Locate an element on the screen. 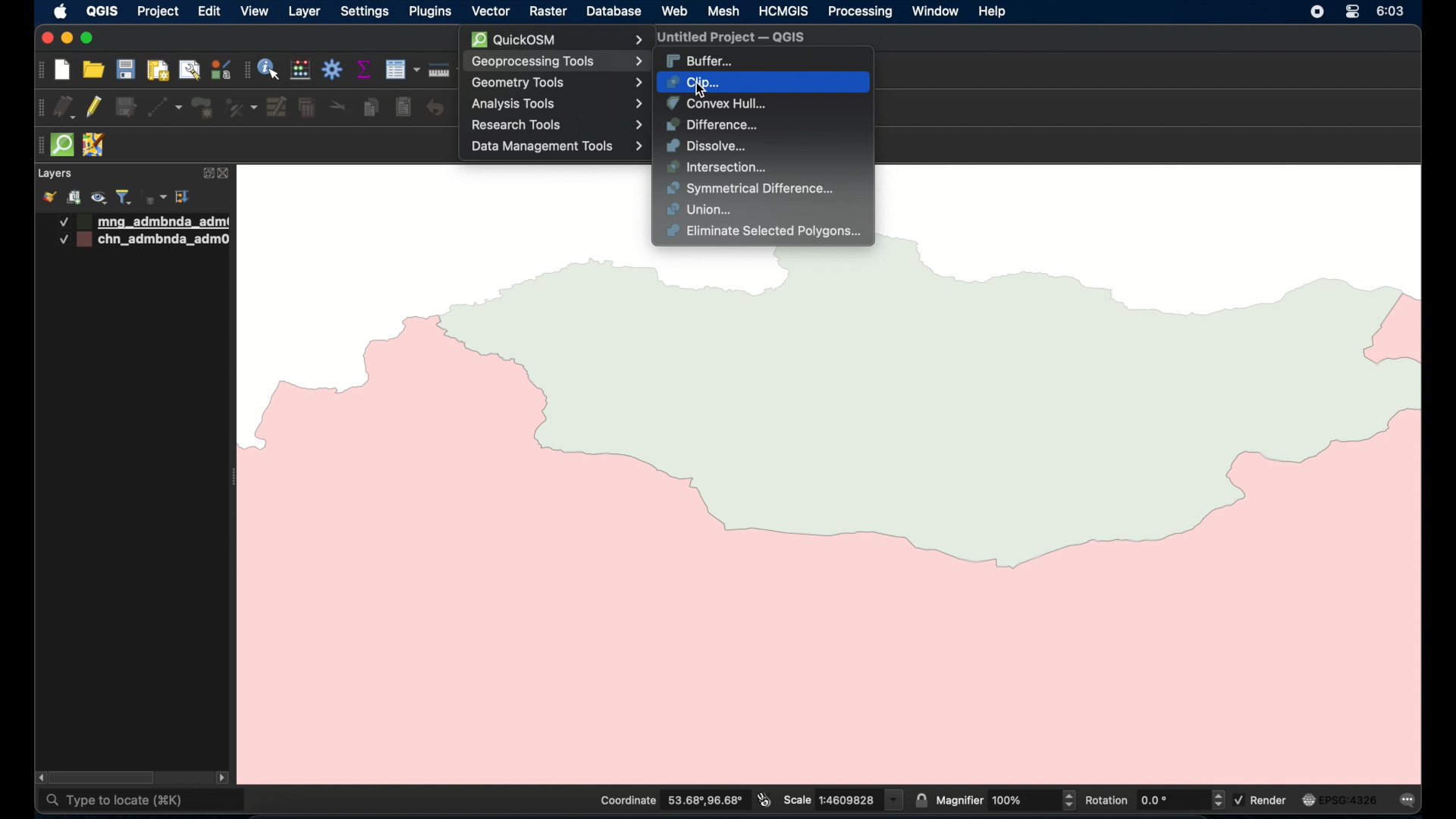  type to locate is located at coordinates (143, 802).